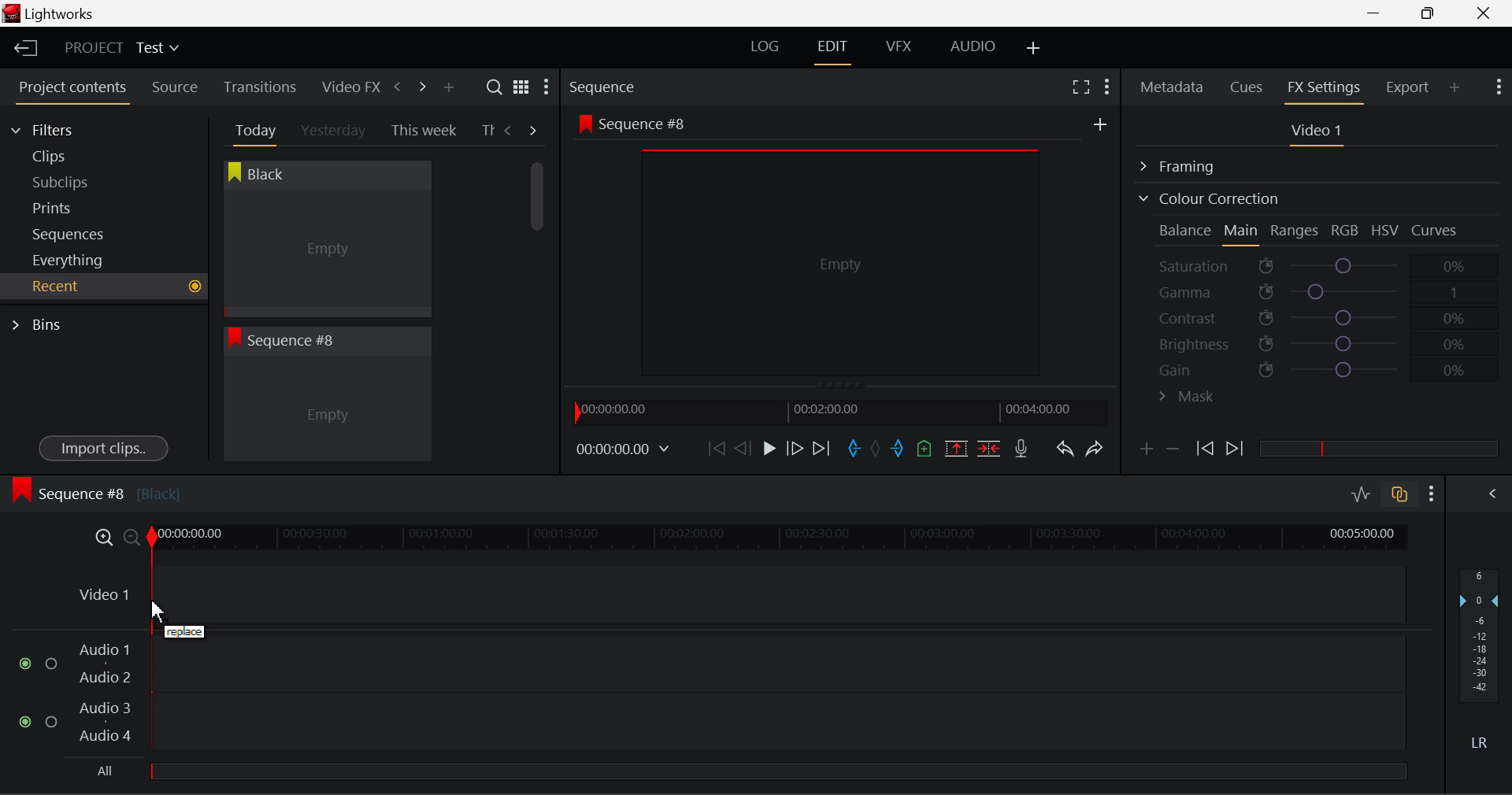 This screenshot has width=1512, height=795. What do you see at coordinates (1318, 341) in the screenshot?
I see `Brightness` at bounding box center [1318, 341].